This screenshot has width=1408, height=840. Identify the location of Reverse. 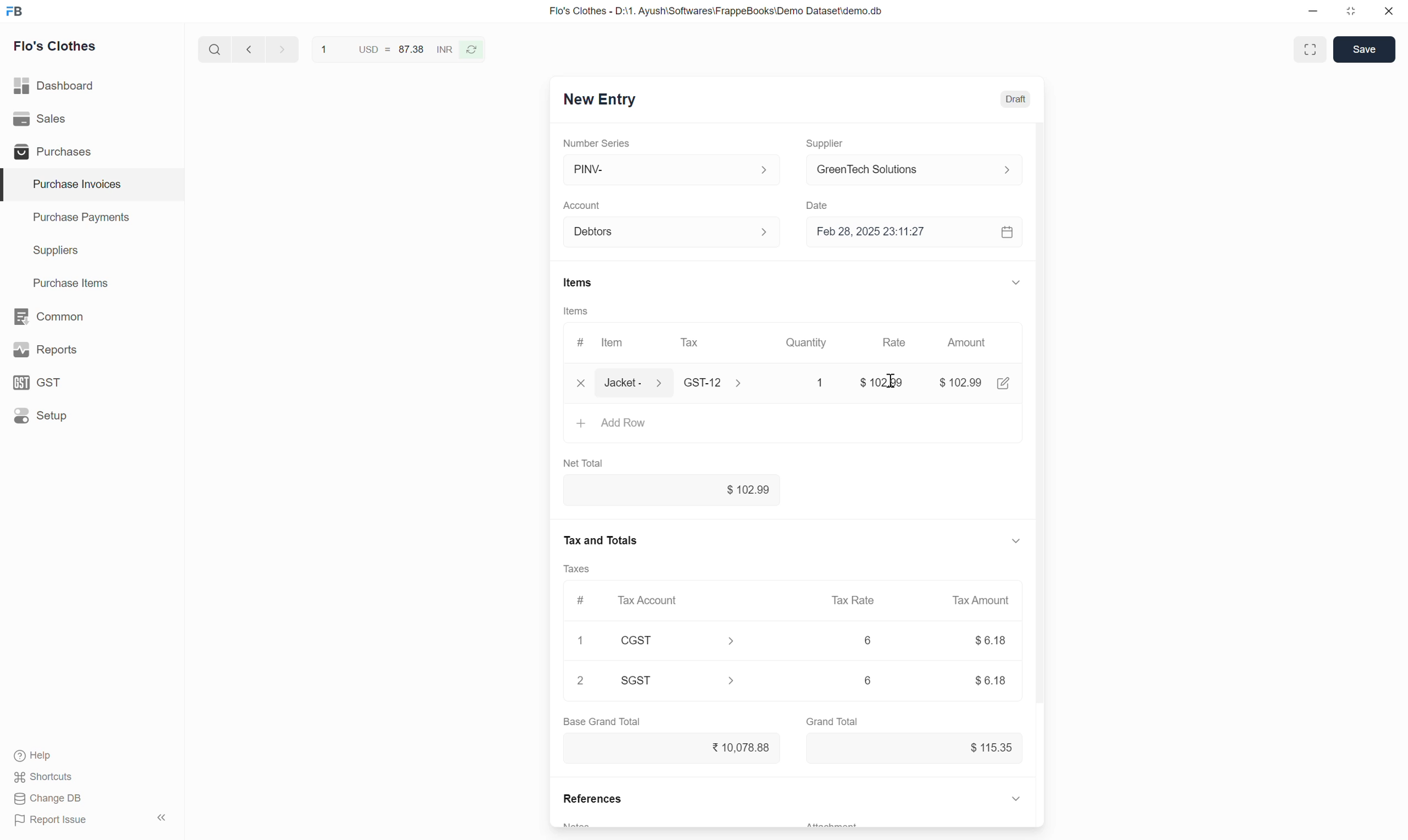
(471, 50).